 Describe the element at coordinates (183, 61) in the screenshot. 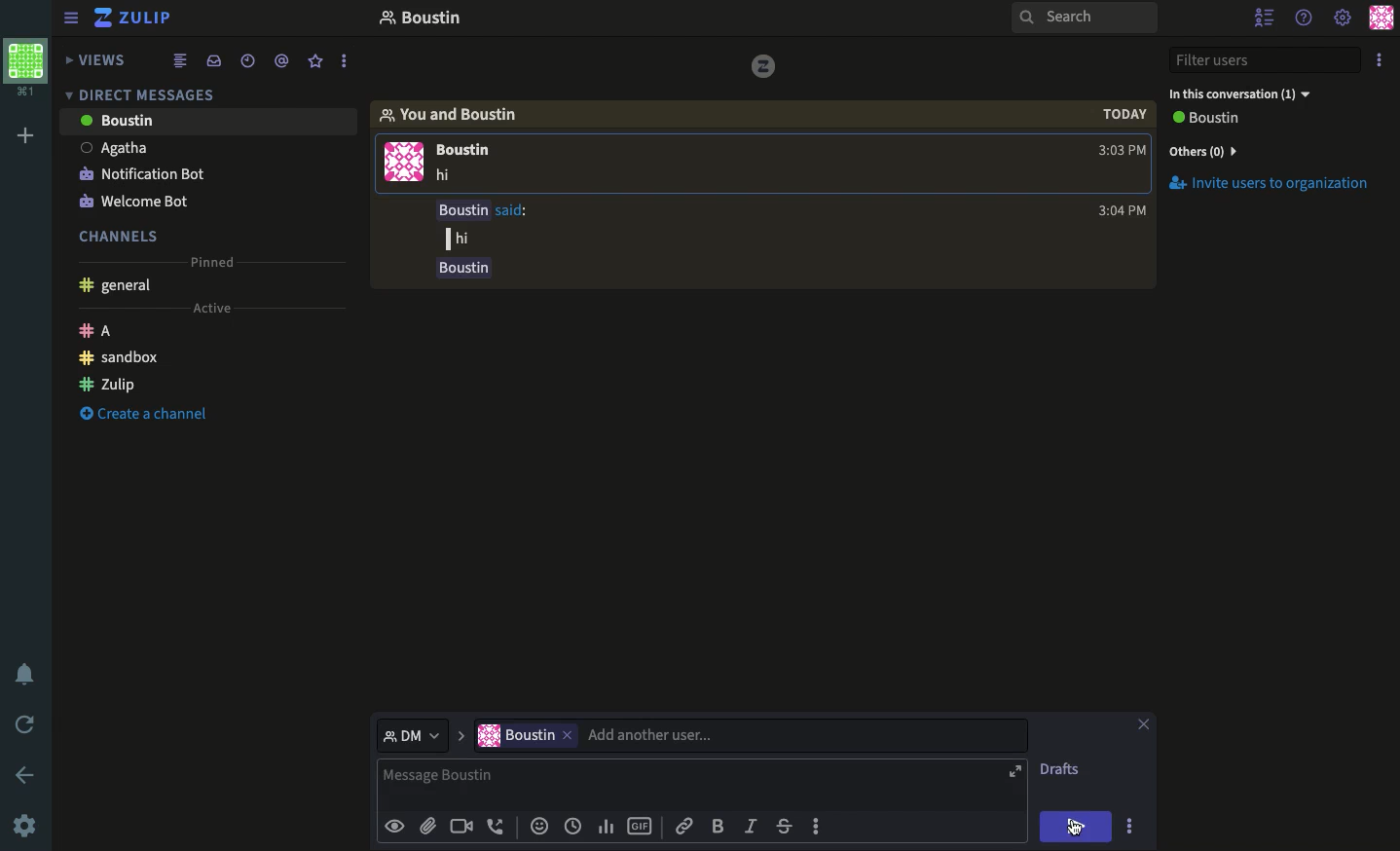

I see `Feed` at that location.